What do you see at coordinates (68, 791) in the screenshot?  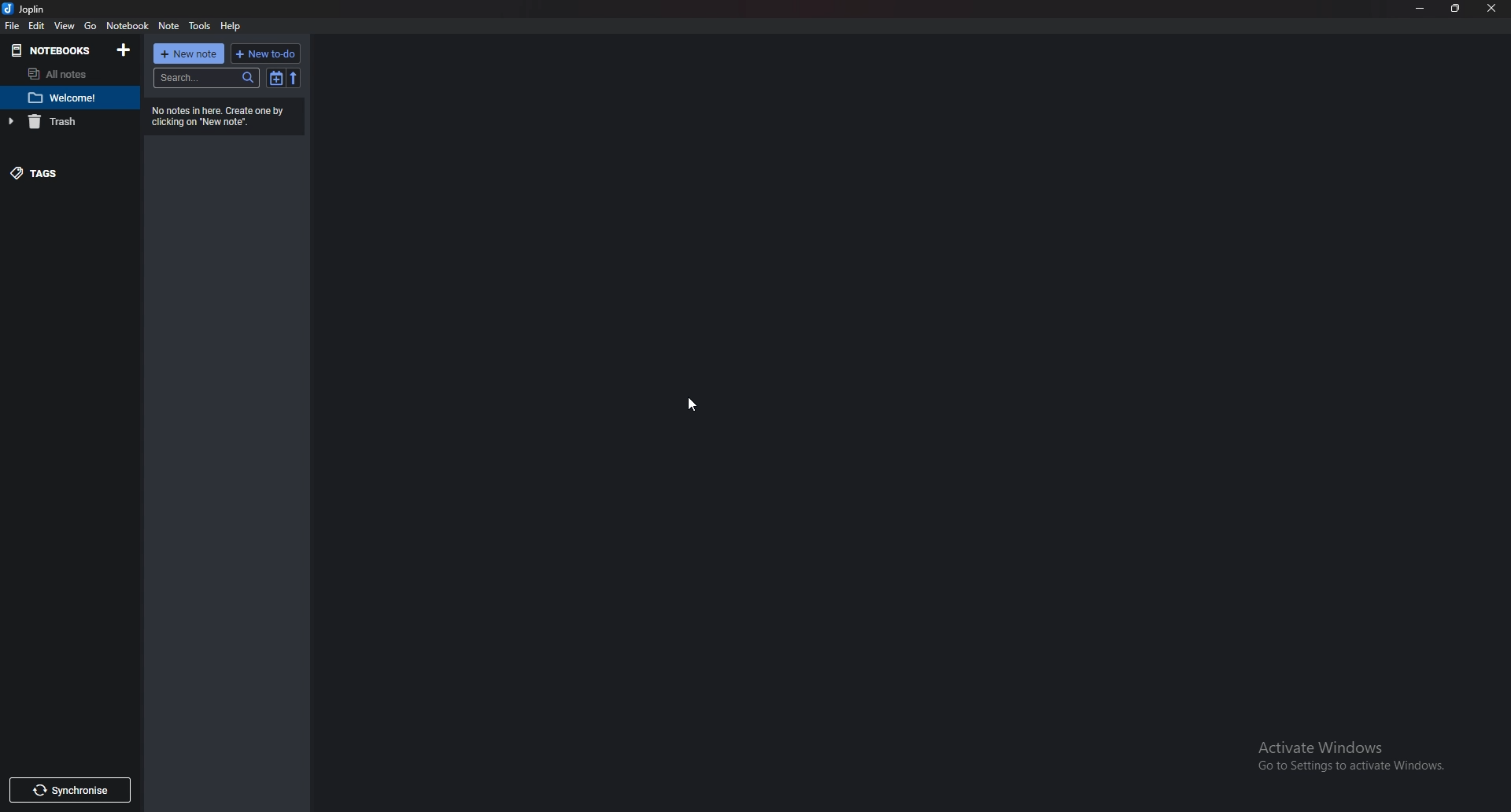 I see `Synchronize` at bounding box center [68, 791].